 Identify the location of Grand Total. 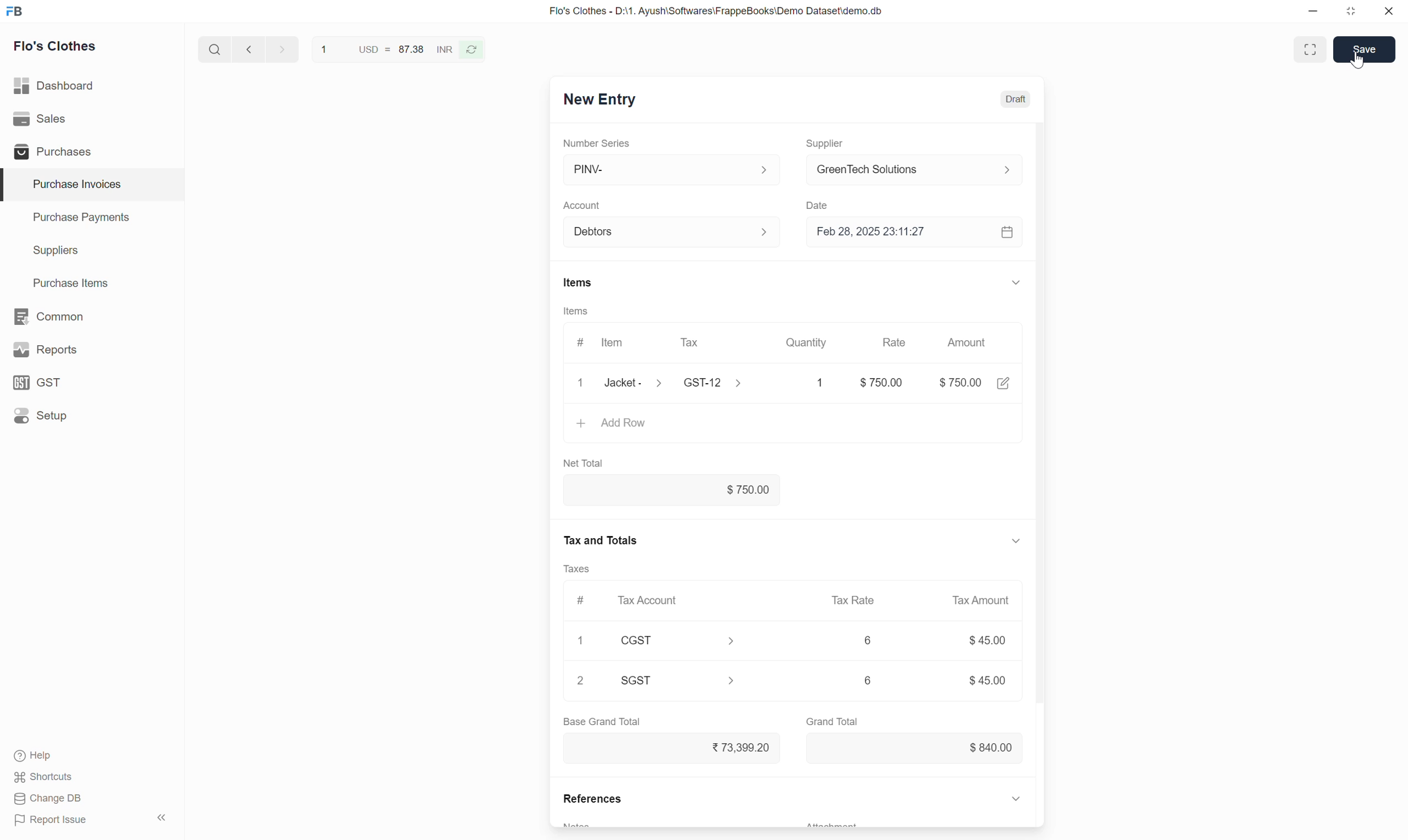
(832, 722).